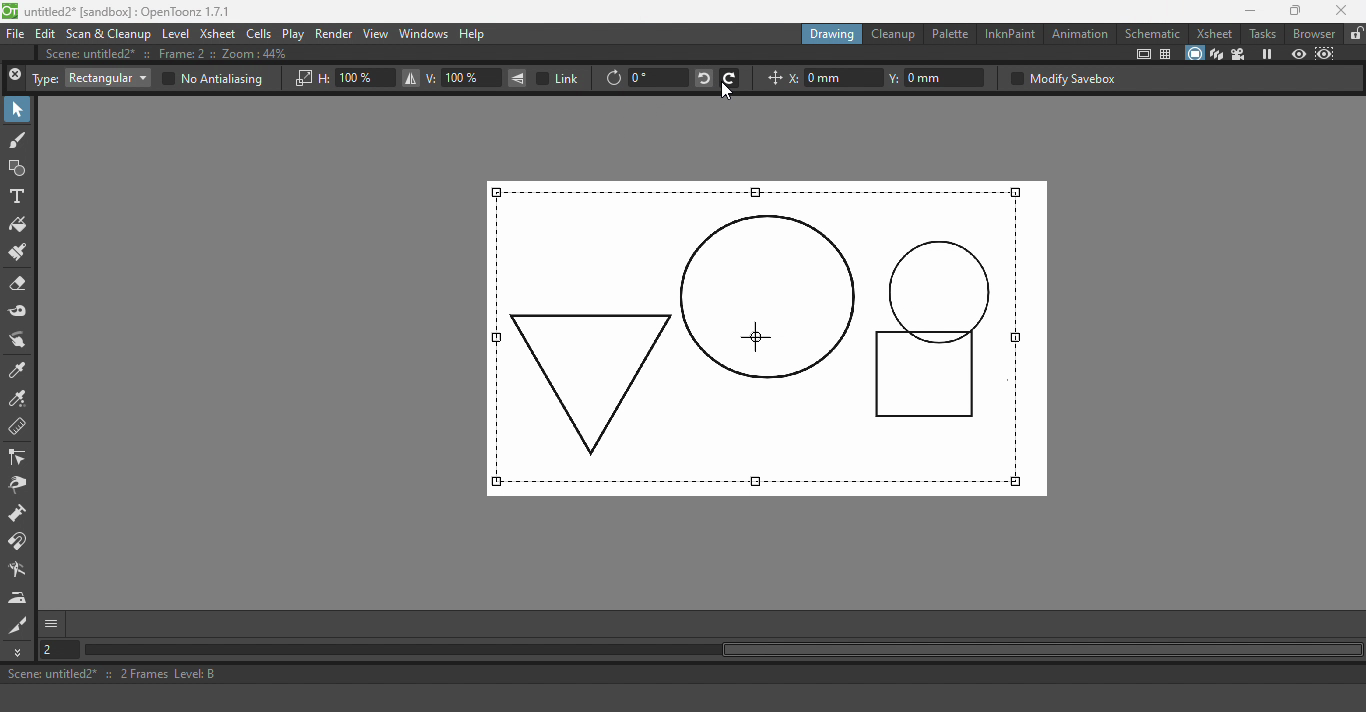  Describe the element at coordinates (16, 35) in the screenshot. I see `File` at that location.